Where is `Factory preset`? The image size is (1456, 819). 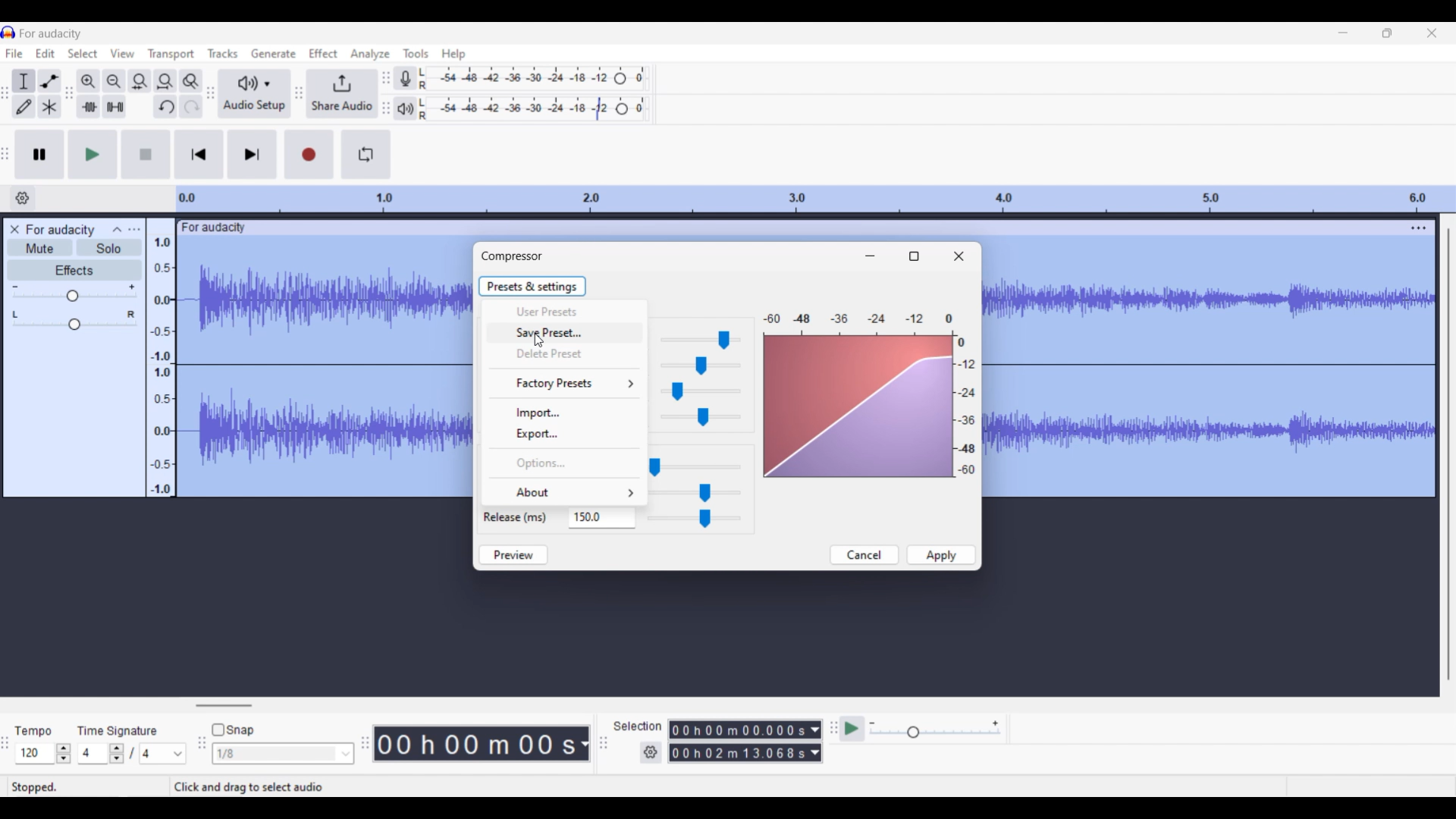
Factory preset is located at coordinates (567, 384).